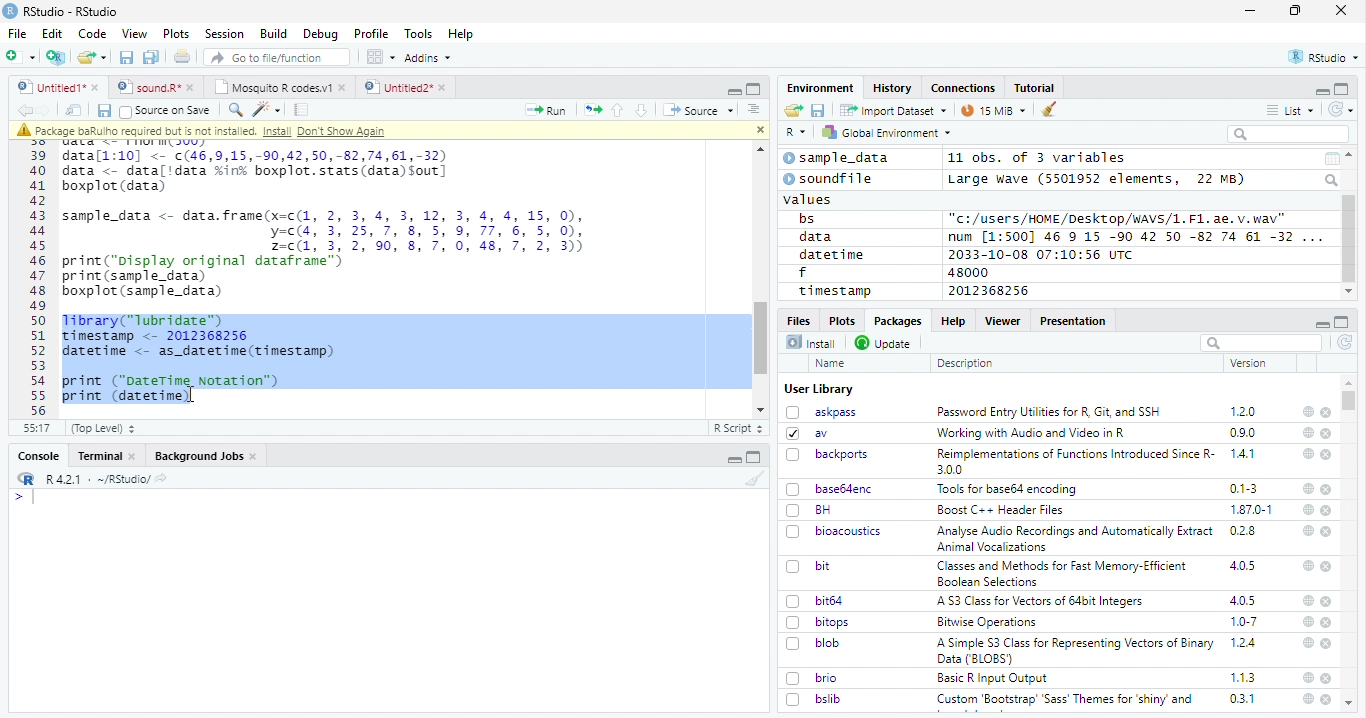 This screenshot has width=1366, height=718. What do you see at coordinates (371, 34) in the screenshot?
I see `Profile` at bounding box center [371, 34].